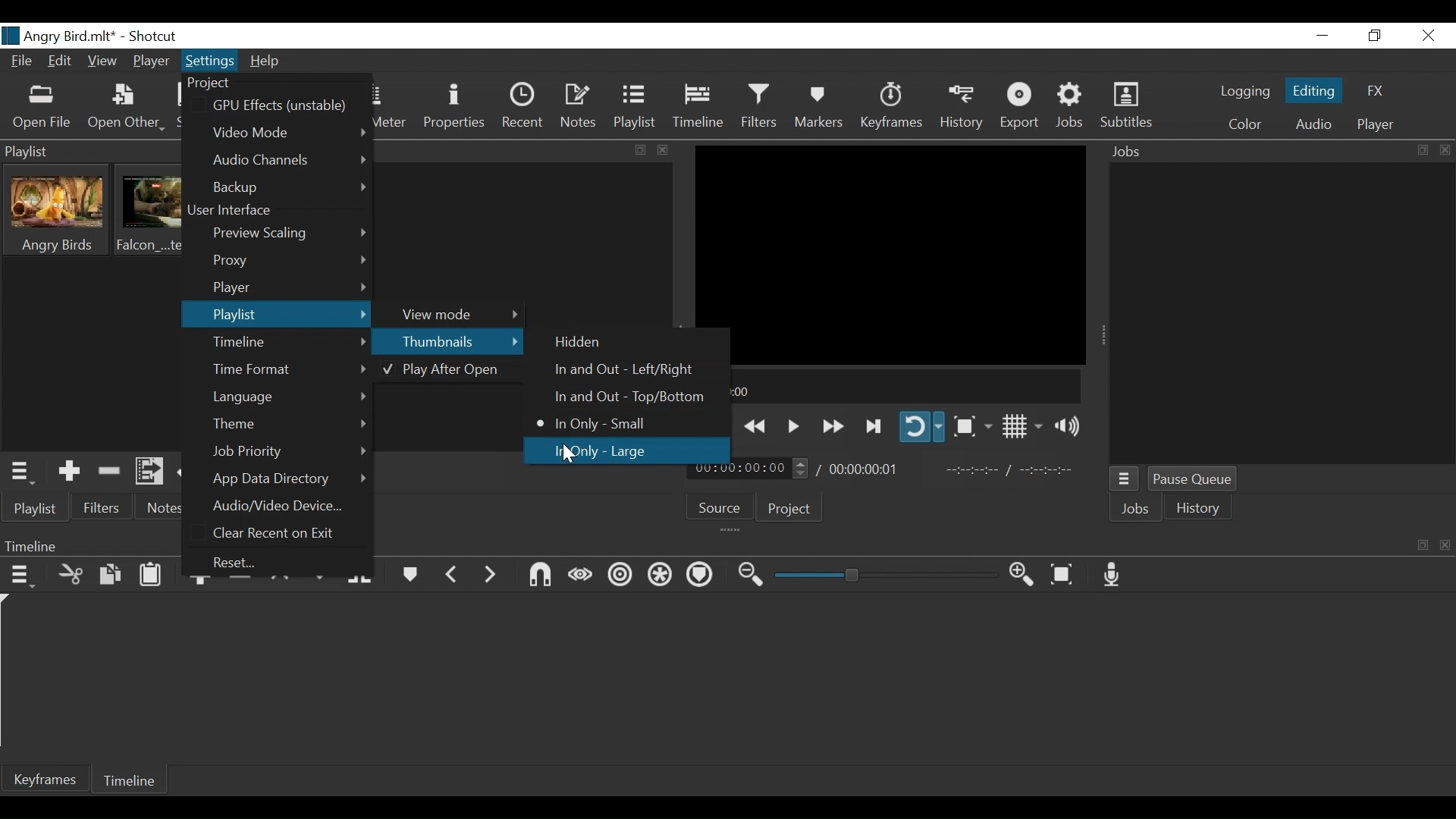 The image size is (1456, 819). What do you see at coordinates (192, 473) in the screenshot?
I see `Update` at bounding box center [192, 473].